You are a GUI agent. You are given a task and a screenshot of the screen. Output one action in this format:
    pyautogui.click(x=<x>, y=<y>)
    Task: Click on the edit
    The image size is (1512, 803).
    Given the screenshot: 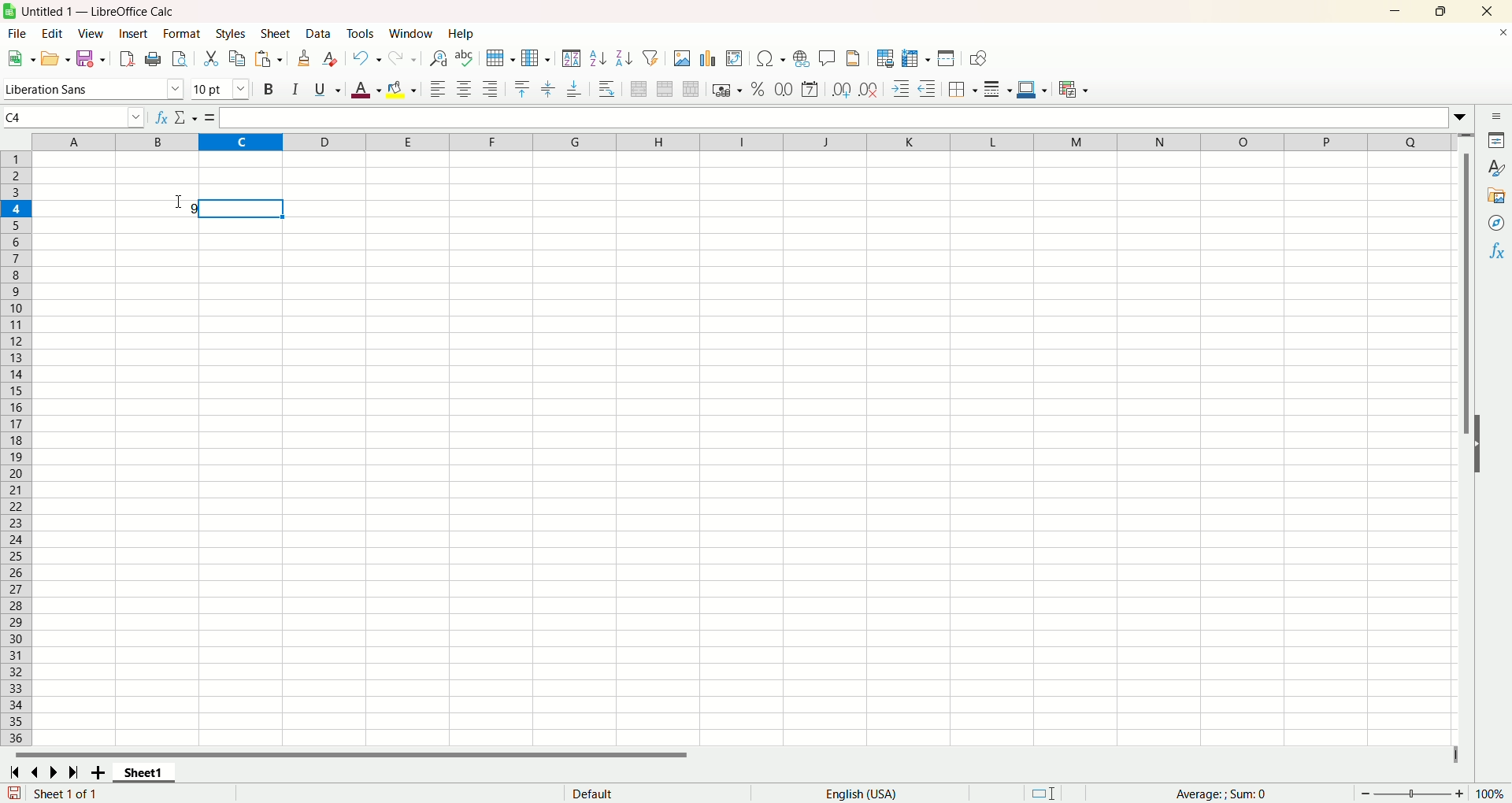 What is the action you would take?
    pyautogui.click(x=50, y=34)
    